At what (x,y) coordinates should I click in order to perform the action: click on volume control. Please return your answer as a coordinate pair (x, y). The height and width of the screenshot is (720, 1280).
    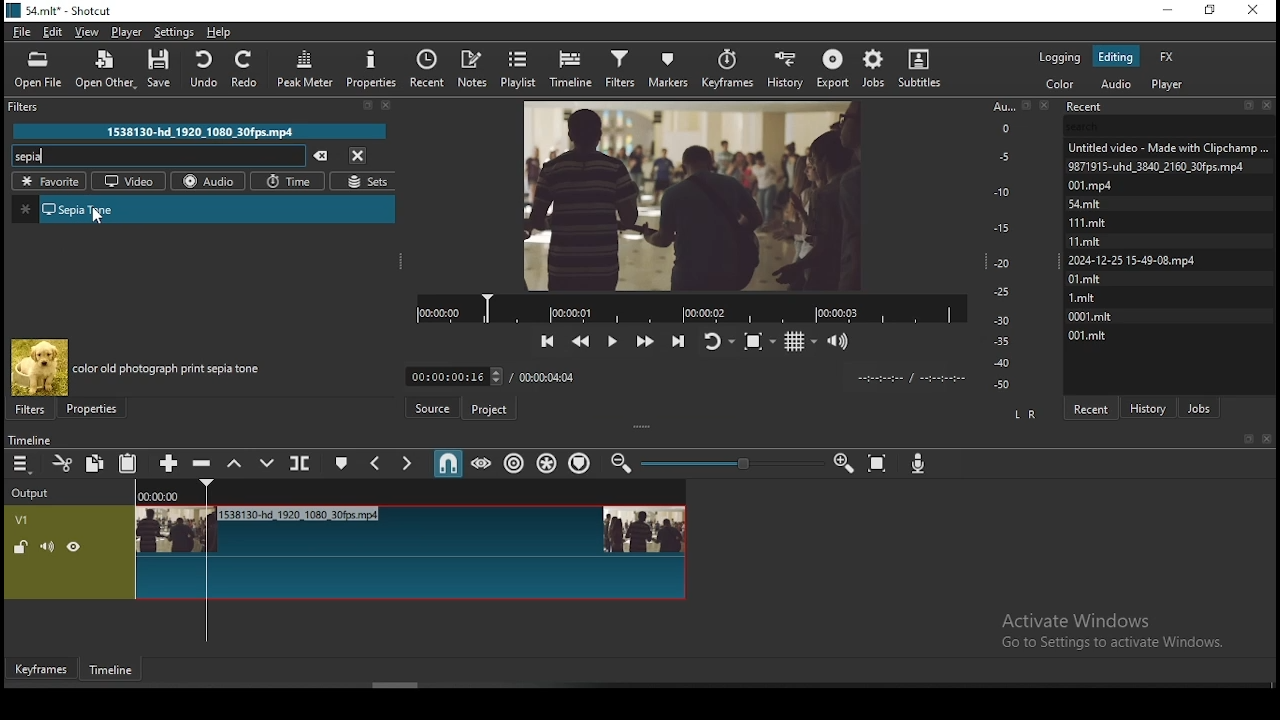
    Looking at the image, I should click on (841, 341).